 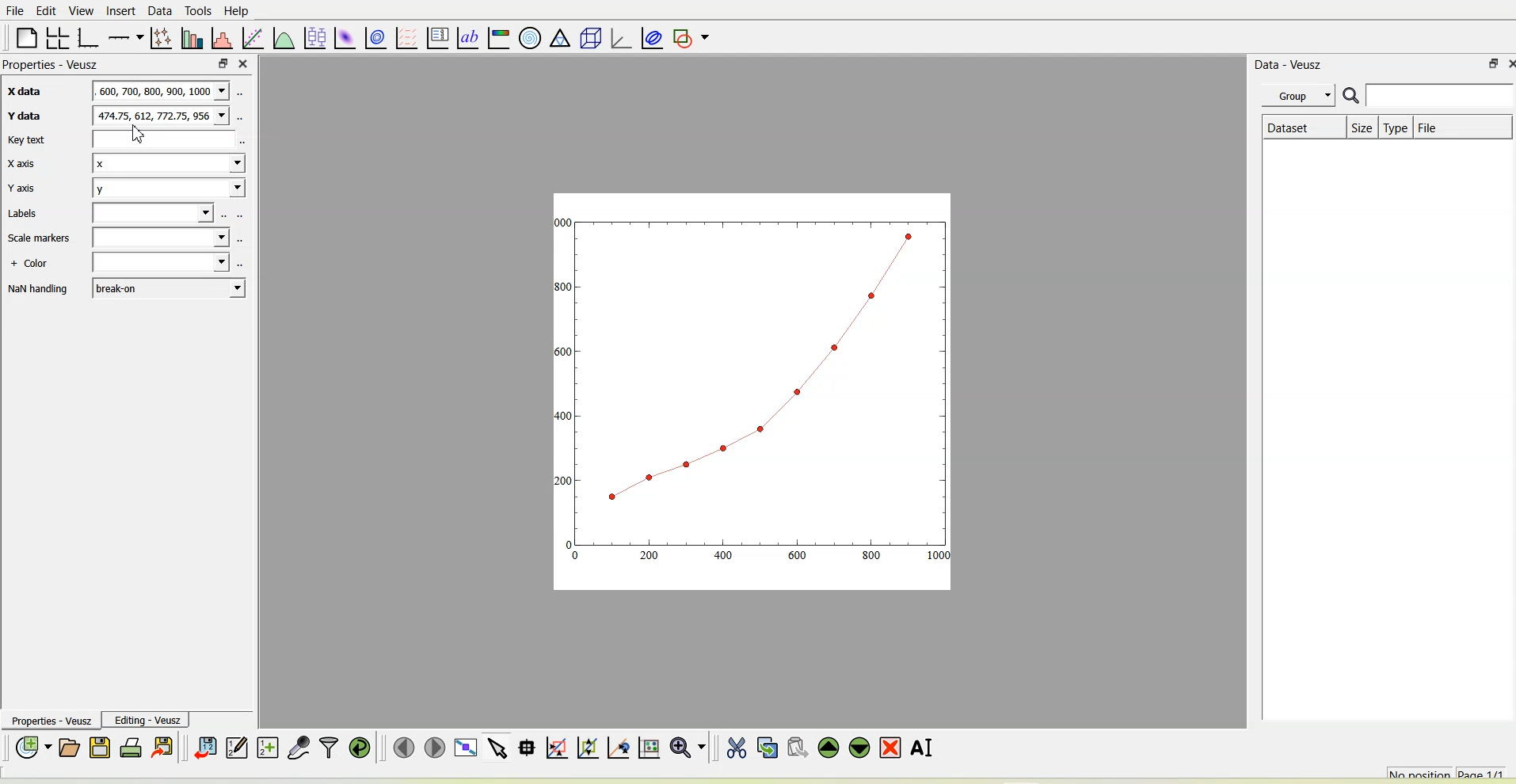 I want to click on Help, so click(x=238, y=11).